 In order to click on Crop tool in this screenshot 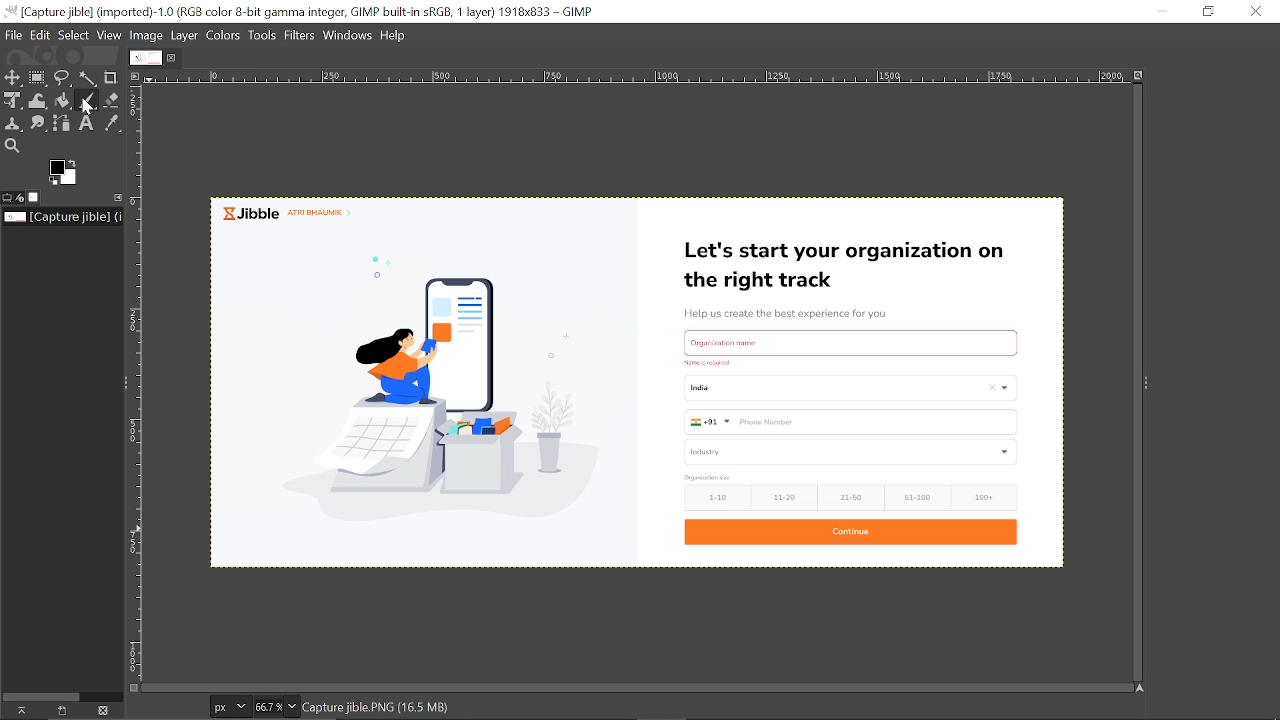, I will do `click(112, 78)`.